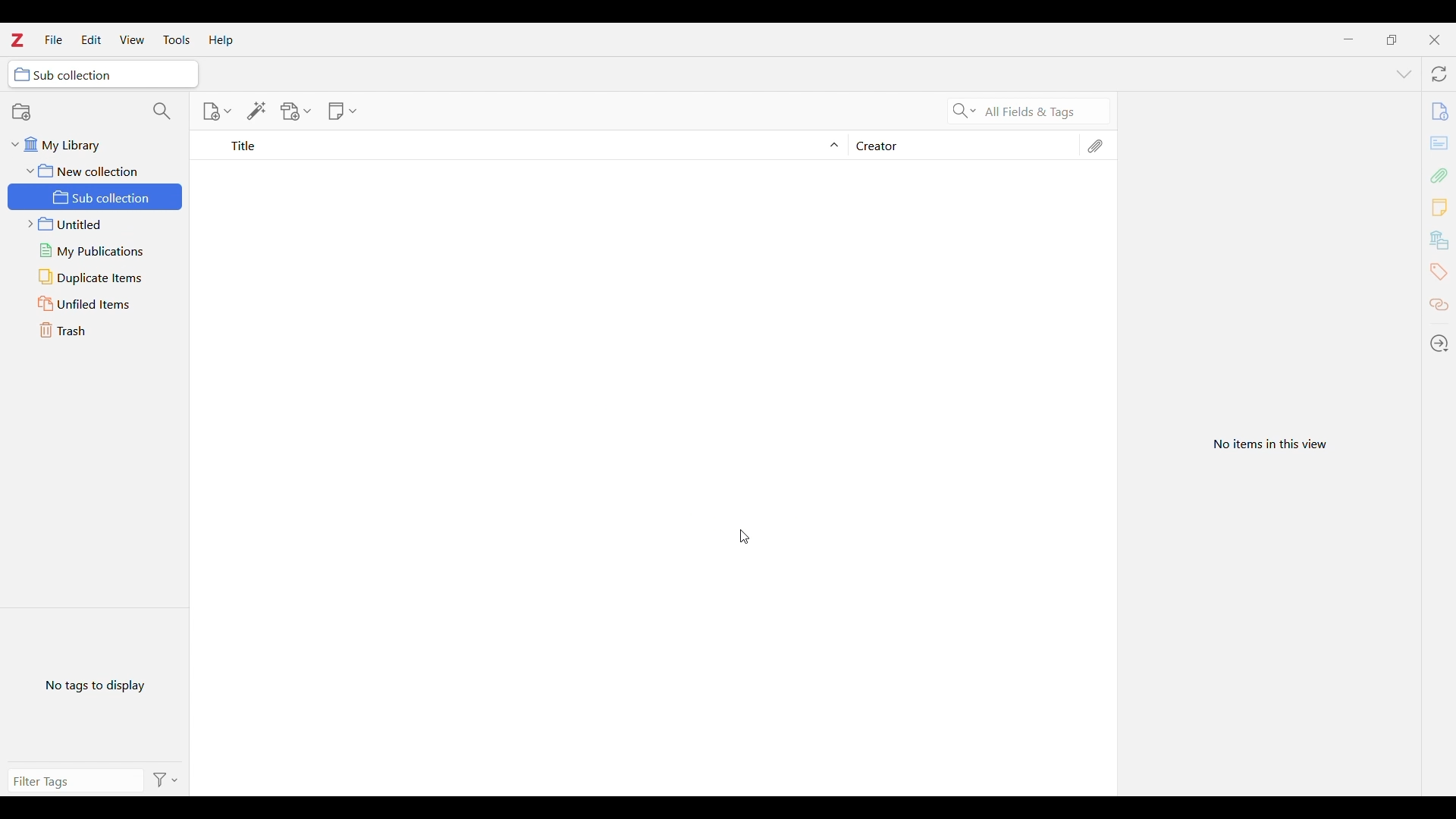  I want to click on Filter options, so click(172, 780).